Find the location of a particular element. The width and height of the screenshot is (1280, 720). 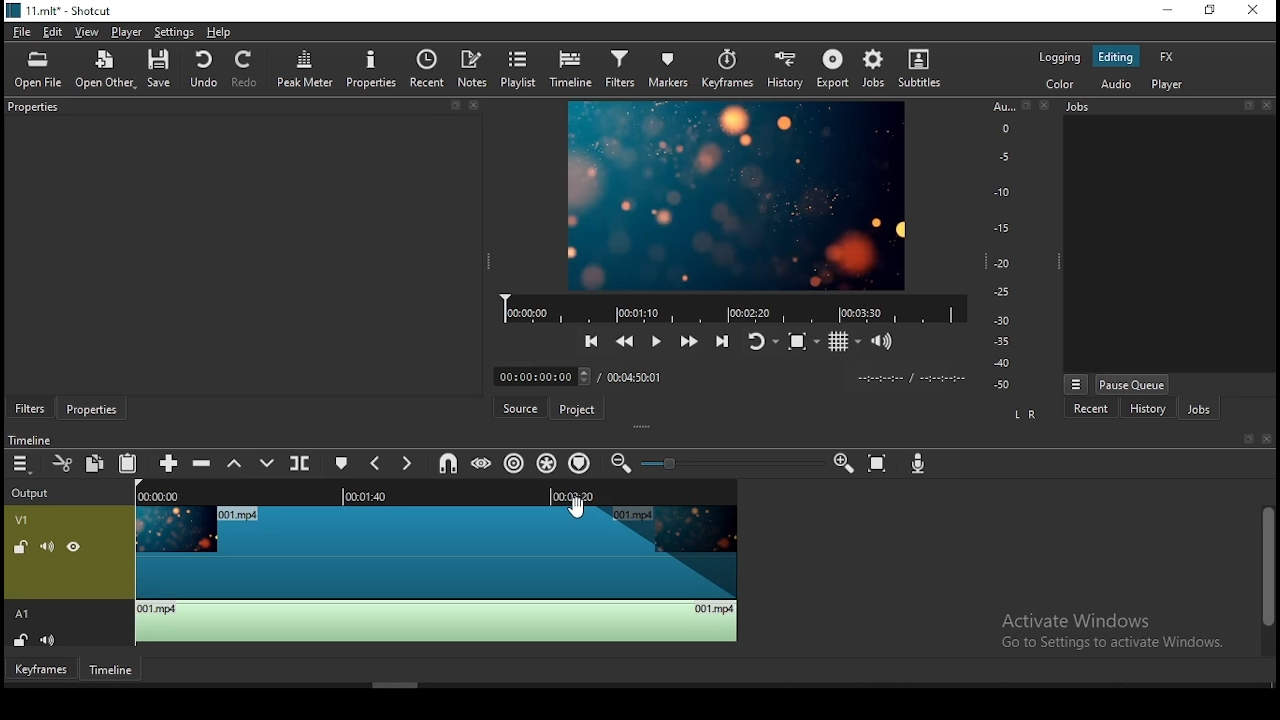

video progress bar is located at coordinates (735, 309).